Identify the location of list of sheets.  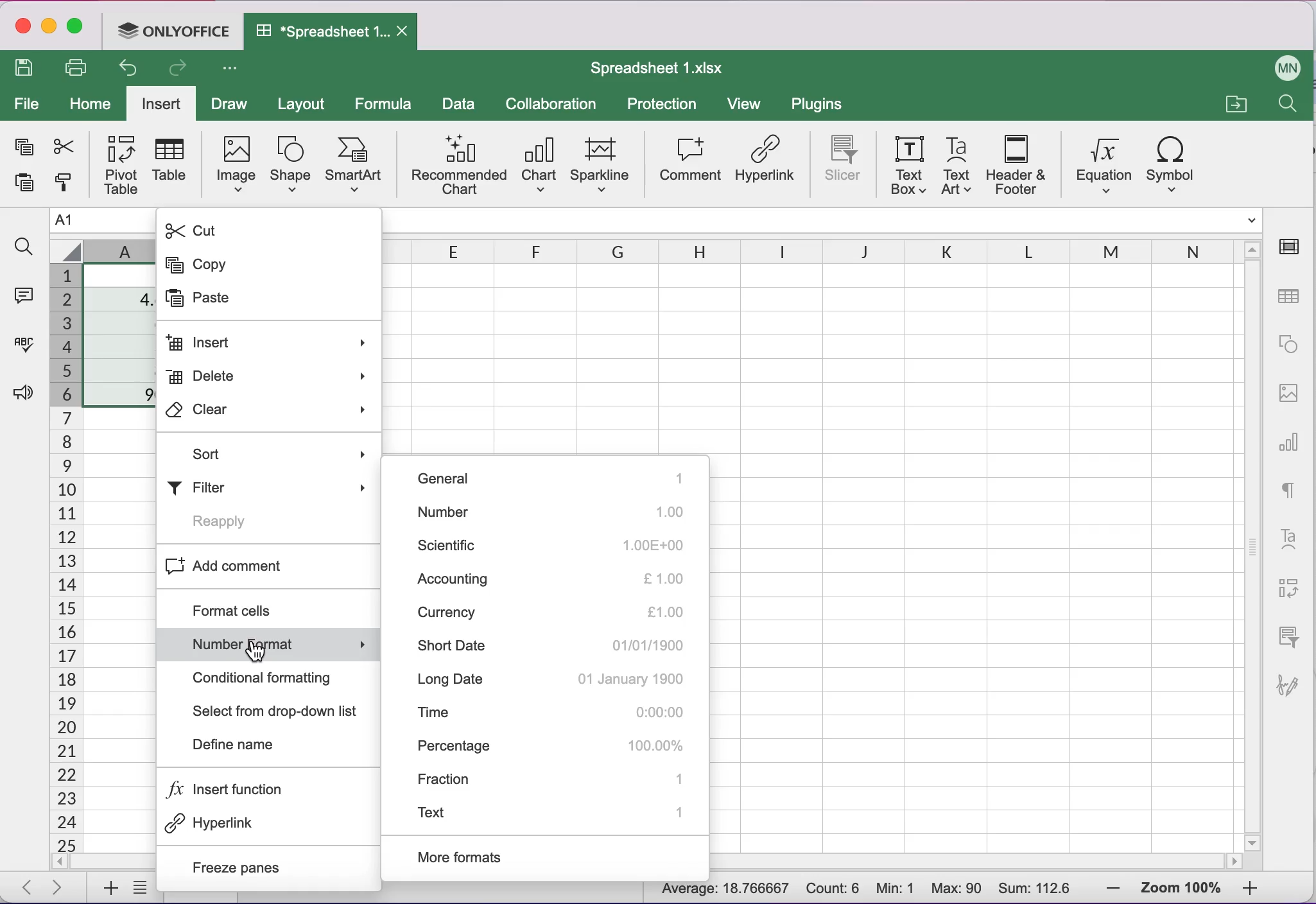
(140, 889).